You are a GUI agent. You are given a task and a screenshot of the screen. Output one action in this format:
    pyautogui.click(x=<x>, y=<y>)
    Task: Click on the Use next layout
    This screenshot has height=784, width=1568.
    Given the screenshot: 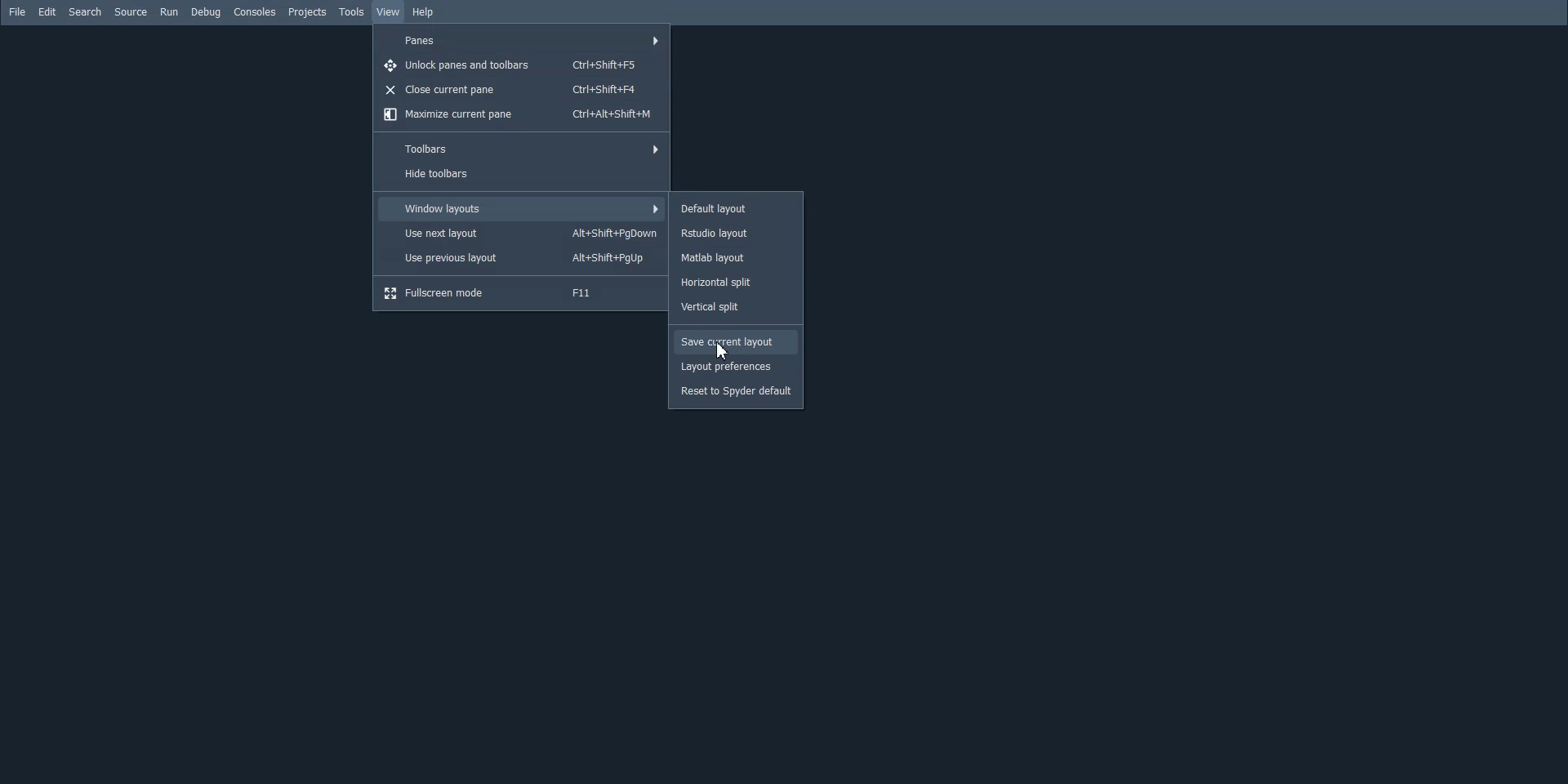 What is the action you would take?
    pyautogui.click(x=523, y=234)
    